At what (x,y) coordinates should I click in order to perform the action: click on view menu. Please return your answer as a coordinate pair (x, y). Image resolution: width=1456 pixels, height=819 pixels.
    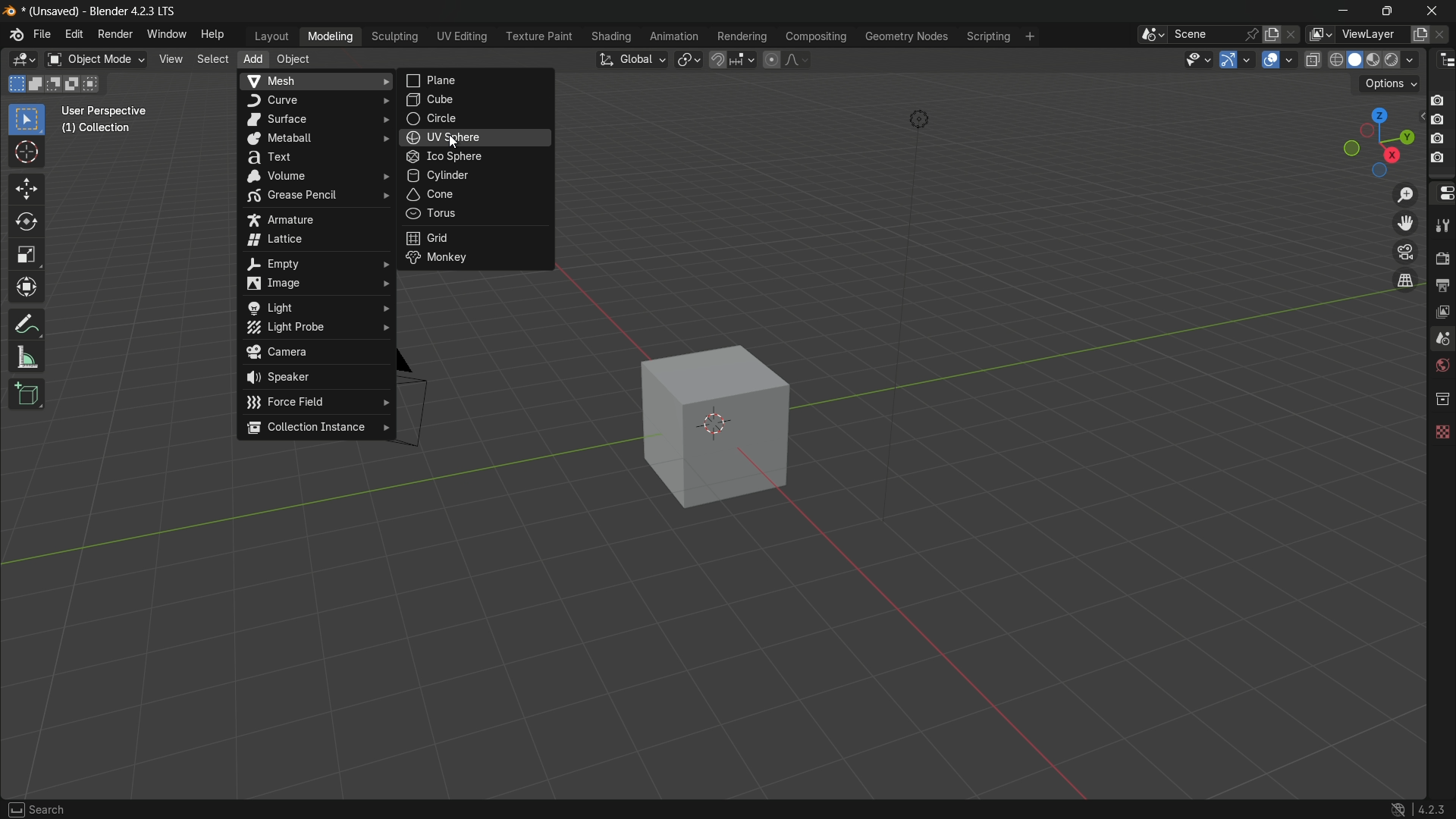
    Looking at the image, I should click on (171, 59).